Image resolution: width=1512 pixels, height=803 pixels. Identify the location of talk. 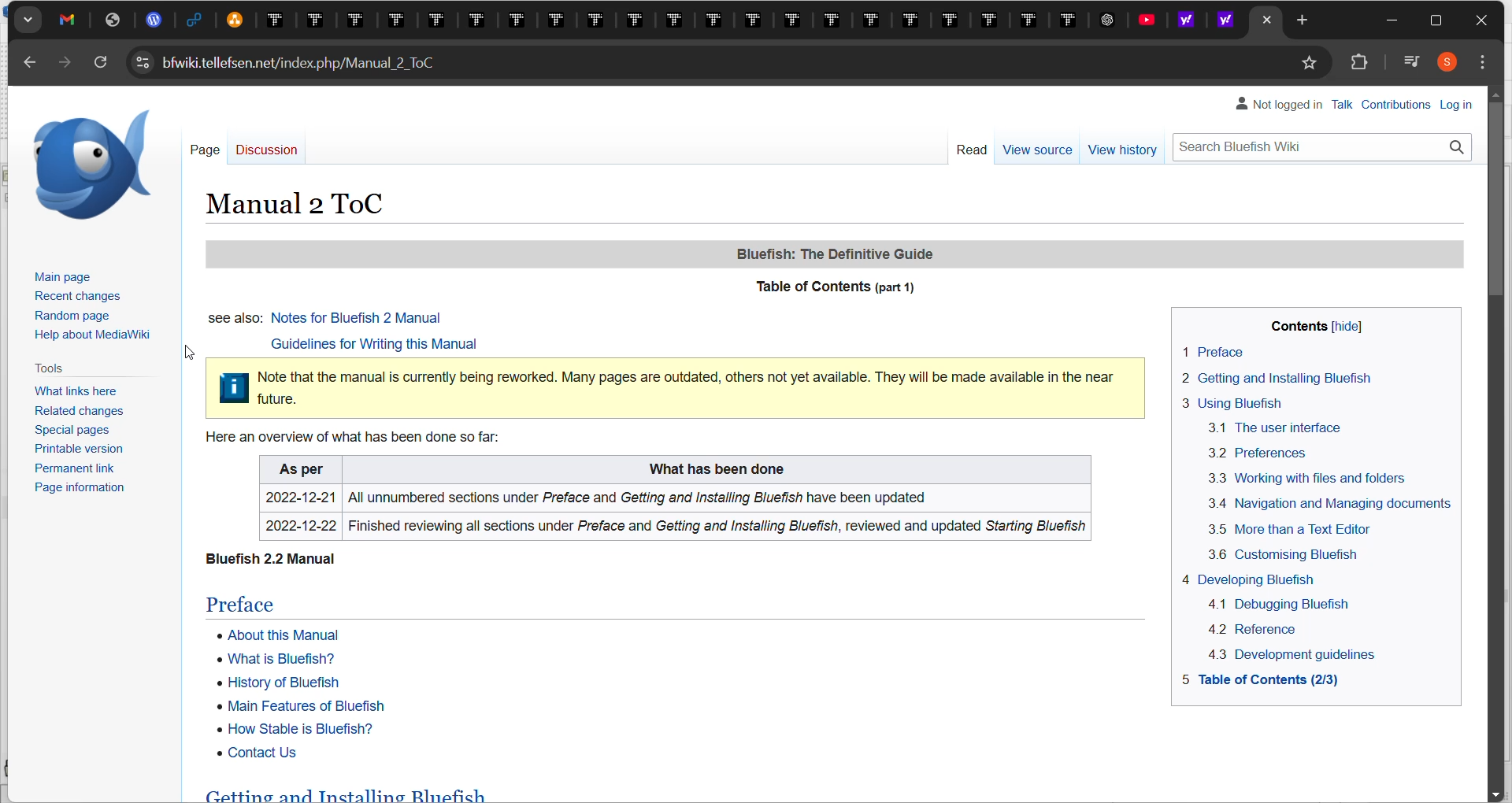
(1347, 102).